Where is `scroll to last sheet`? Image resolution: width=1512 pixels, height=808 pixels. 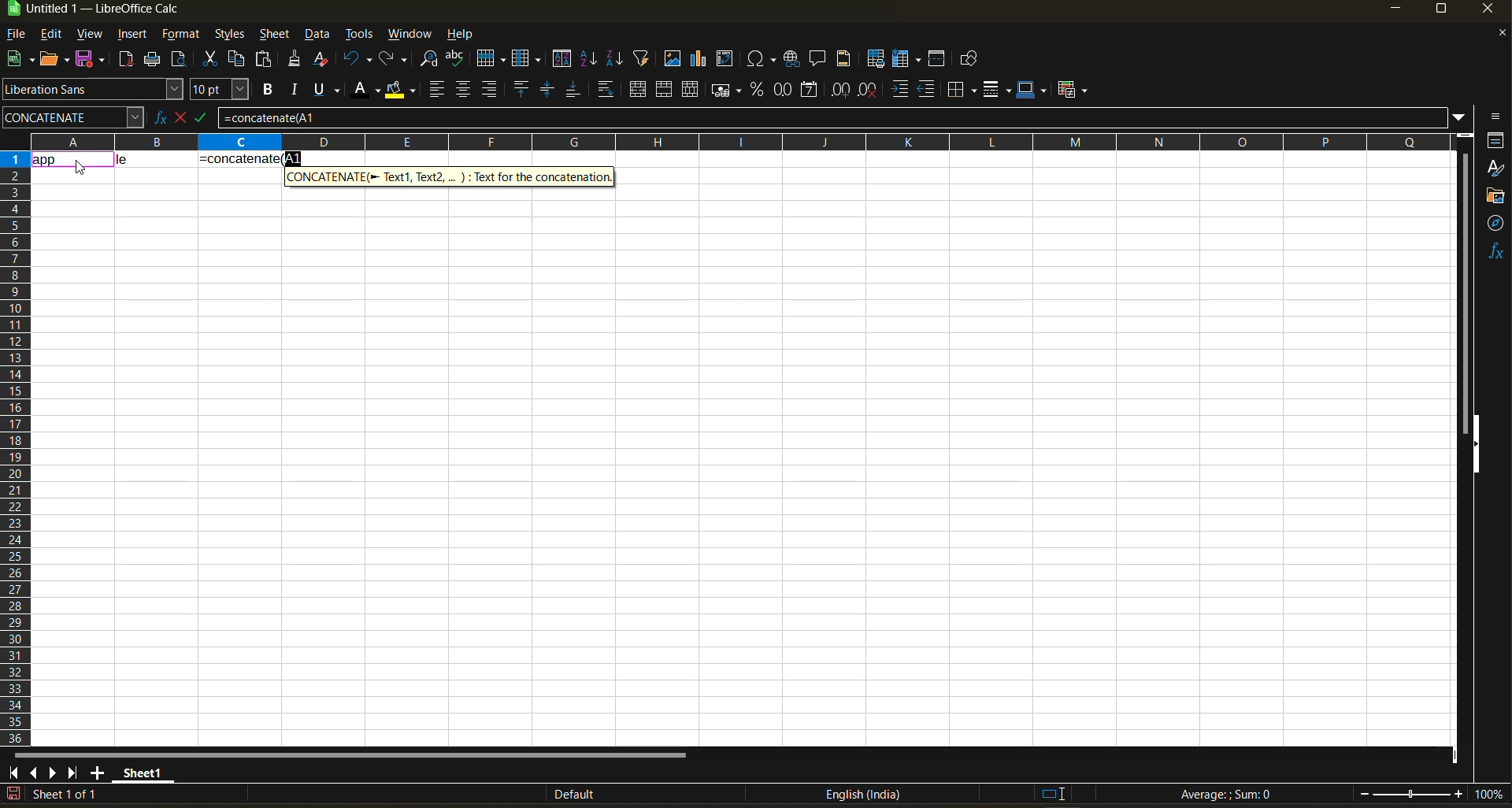
scroll to last sheet is located at coordinates (73, 773).